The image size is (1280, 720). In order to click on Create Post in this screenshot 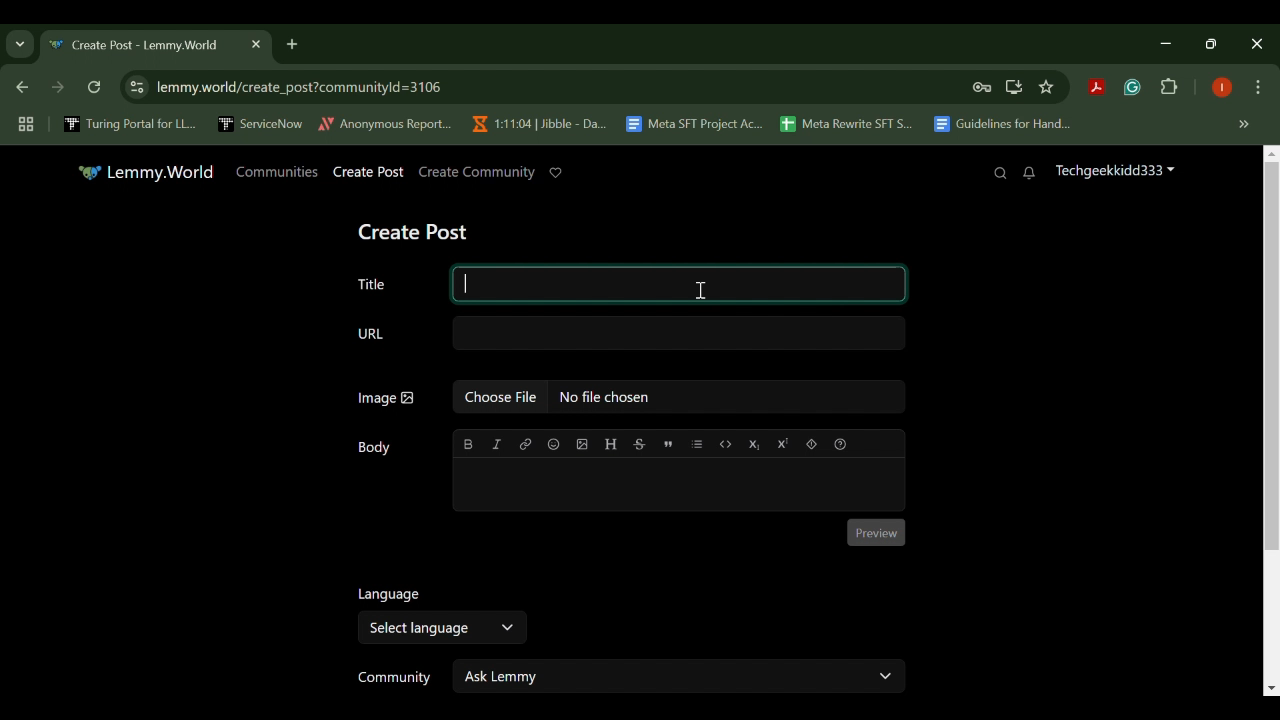, I will do `click(369, 173)`.